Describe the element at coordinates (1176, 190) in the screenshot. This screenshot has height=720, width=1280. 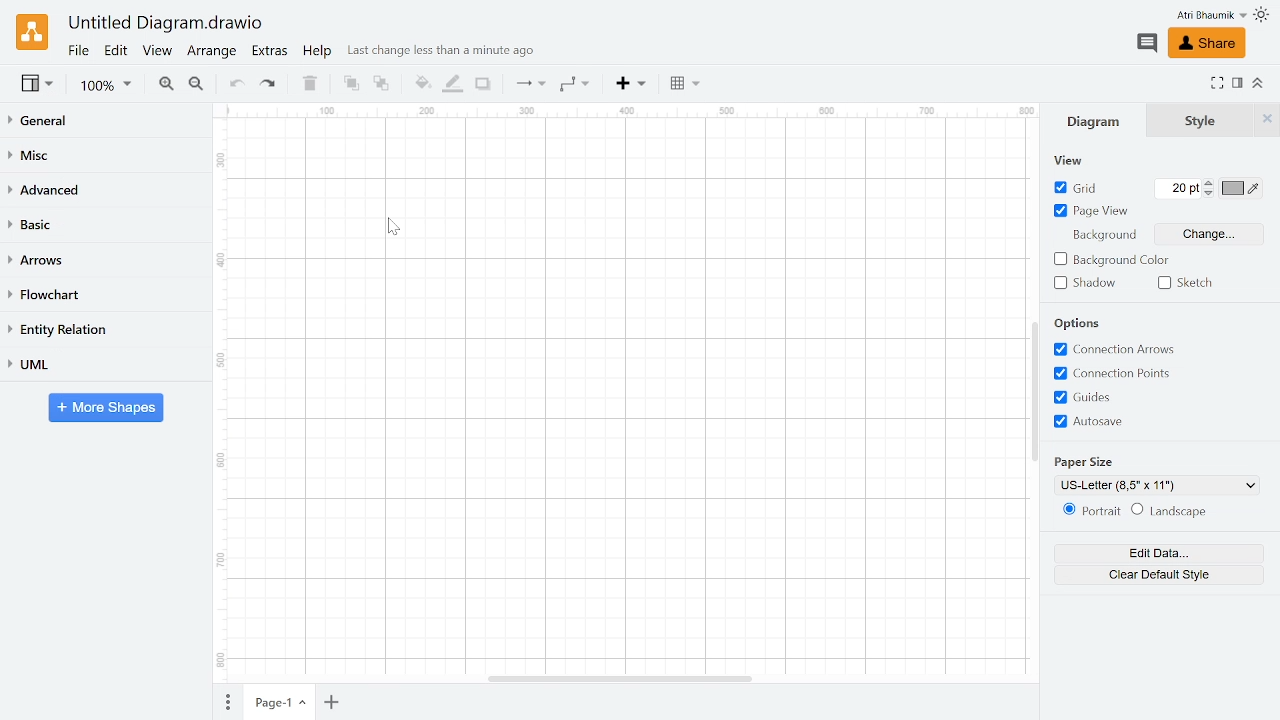
I see `Current grid pt` at that location.